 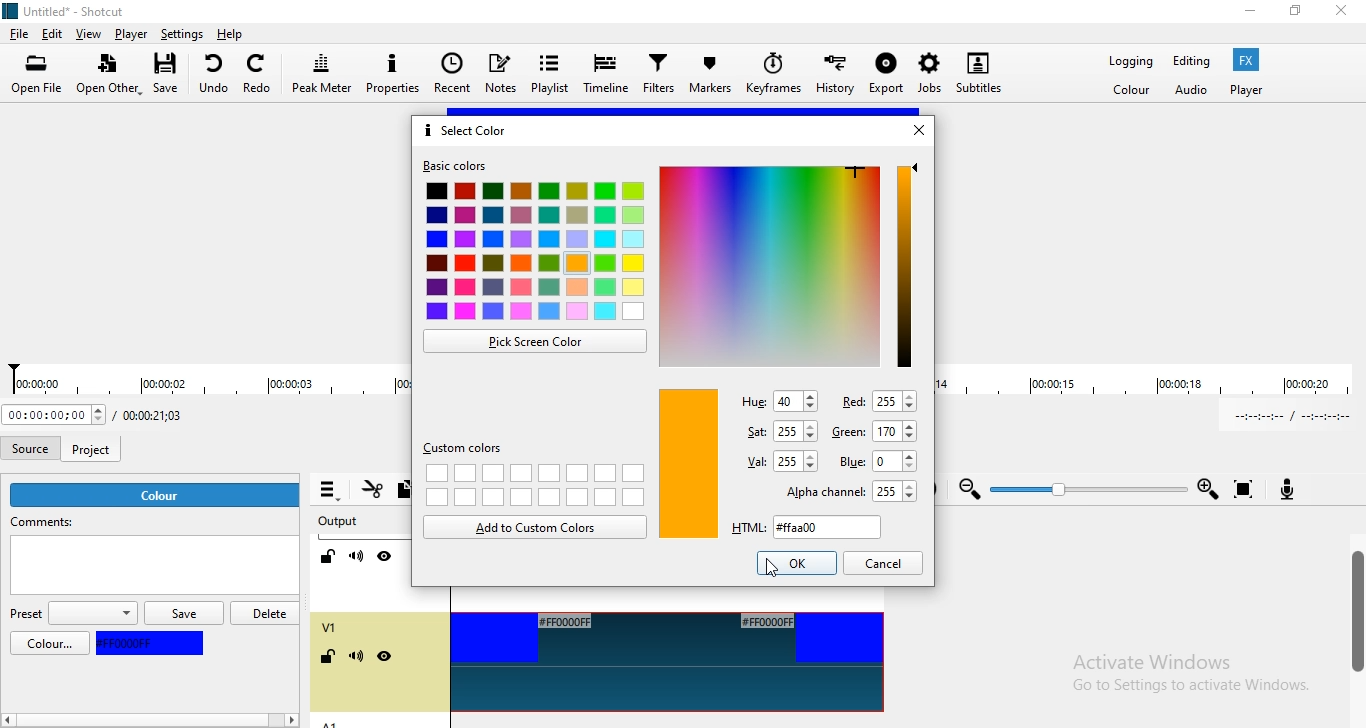 What do you see at coordinates (534, 484) in the screenshot?
I see `empty boxes` at bounding box center [534, 484].